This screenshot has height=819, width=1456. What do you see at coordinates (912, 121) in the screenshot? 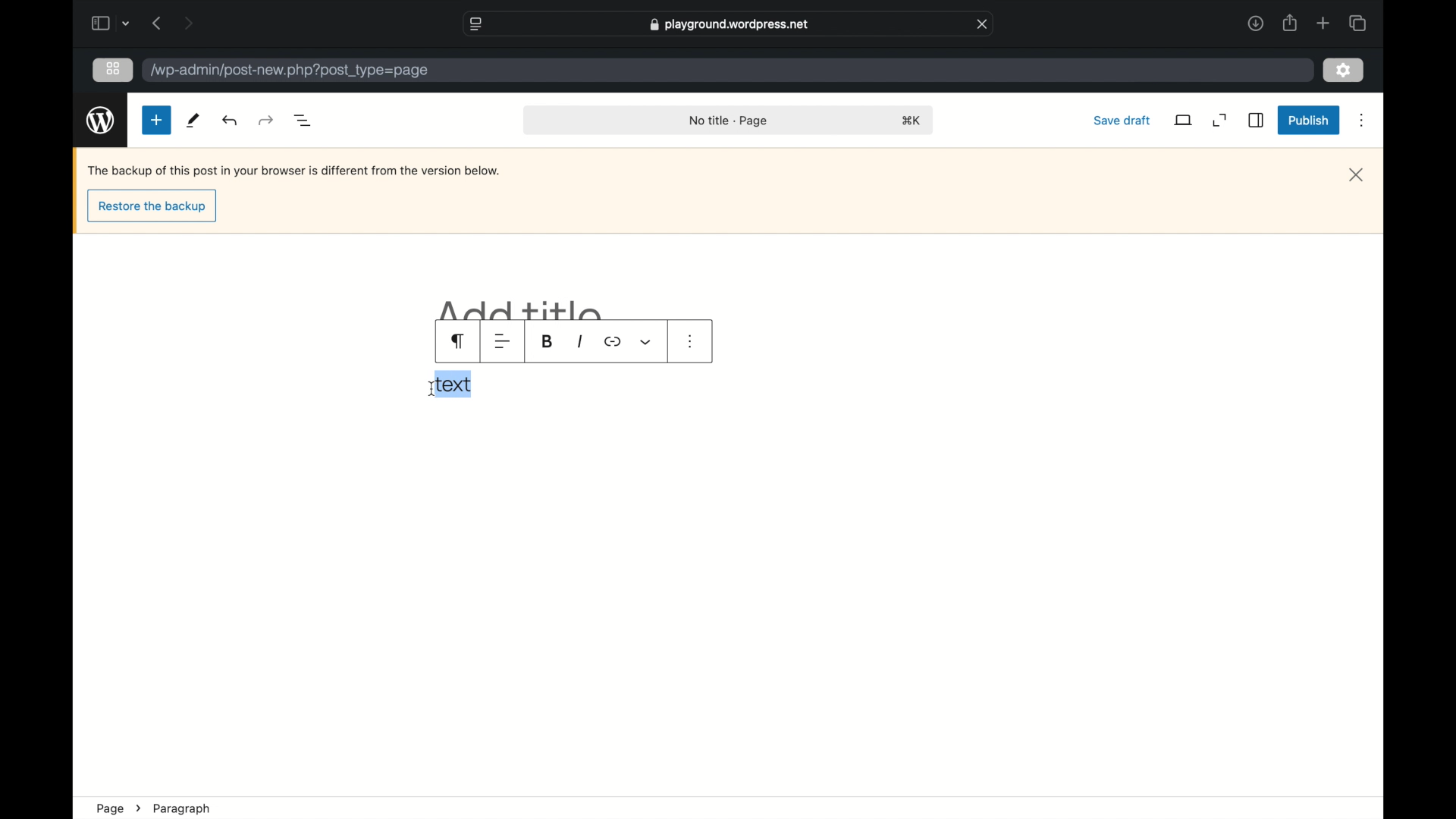
I see `shortcut` at bounding box center [912, 121].